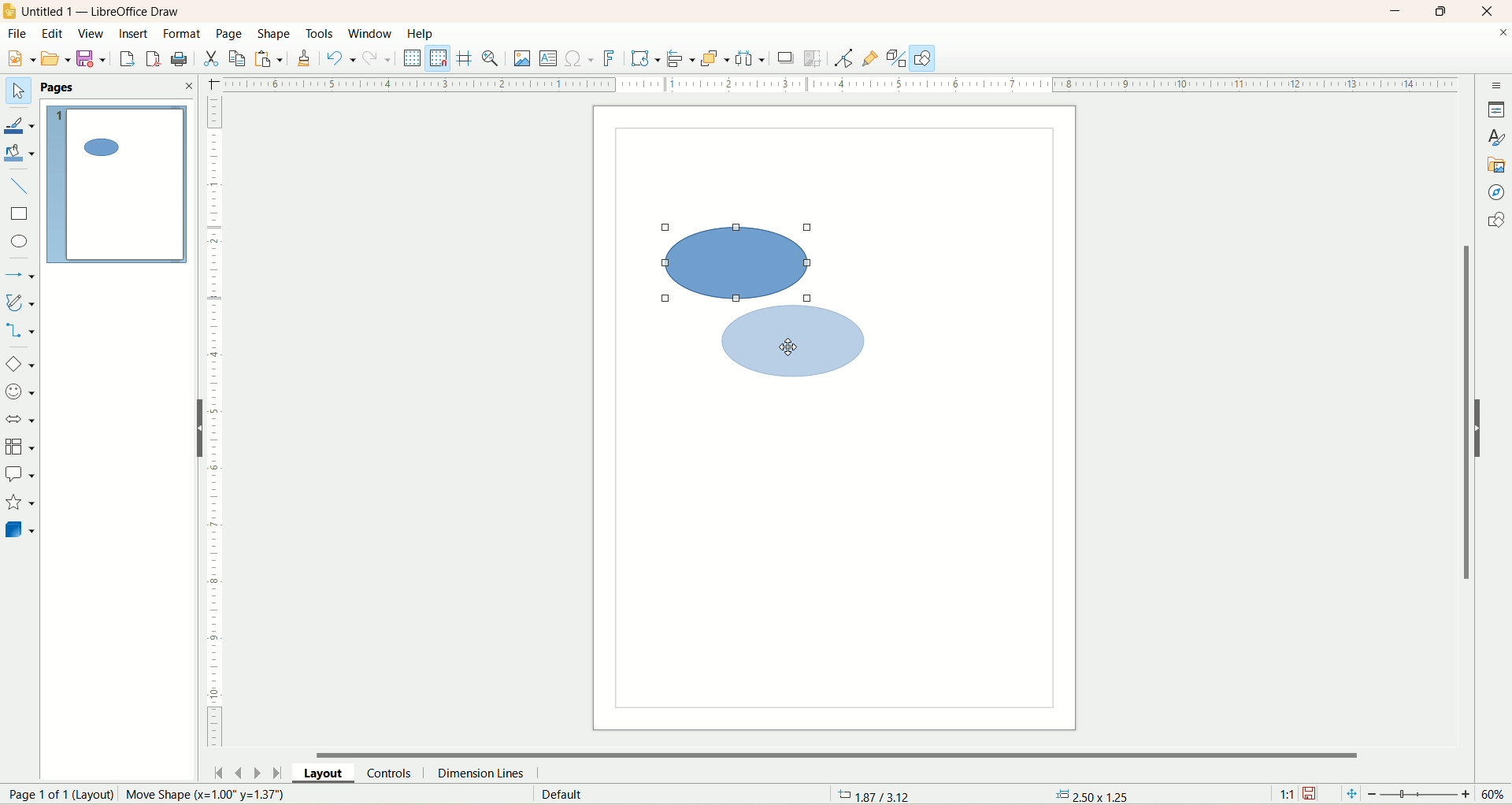 The height and width of the screenshot is (805, 1512). Describe the element at coordinates (787, 347) in the screenshot. I see `cursor` at that location.